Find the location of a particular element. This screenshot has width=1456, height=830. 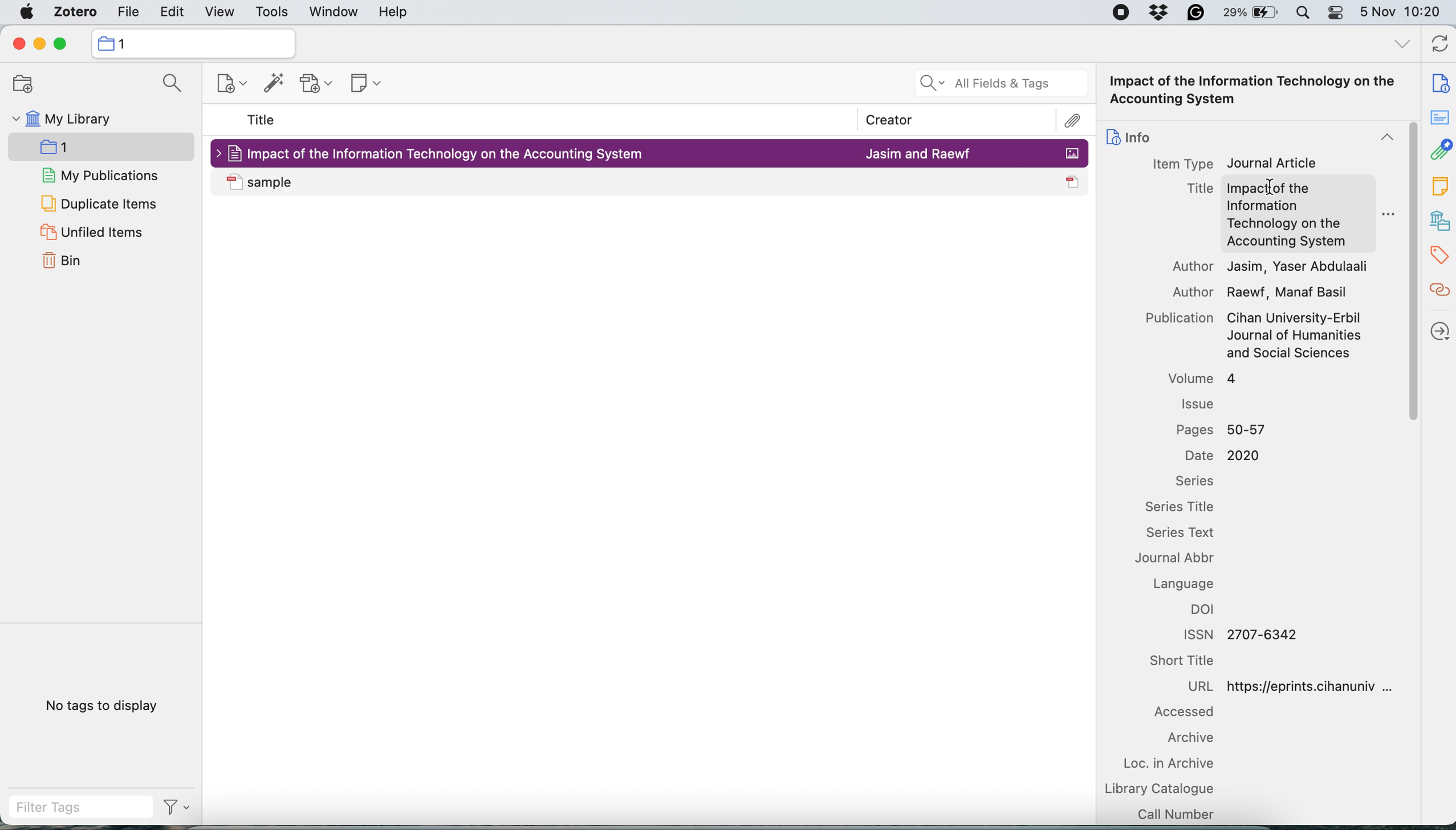

Author Jasim, Yaser Abdulaali is located at coordinates (1272, 267).